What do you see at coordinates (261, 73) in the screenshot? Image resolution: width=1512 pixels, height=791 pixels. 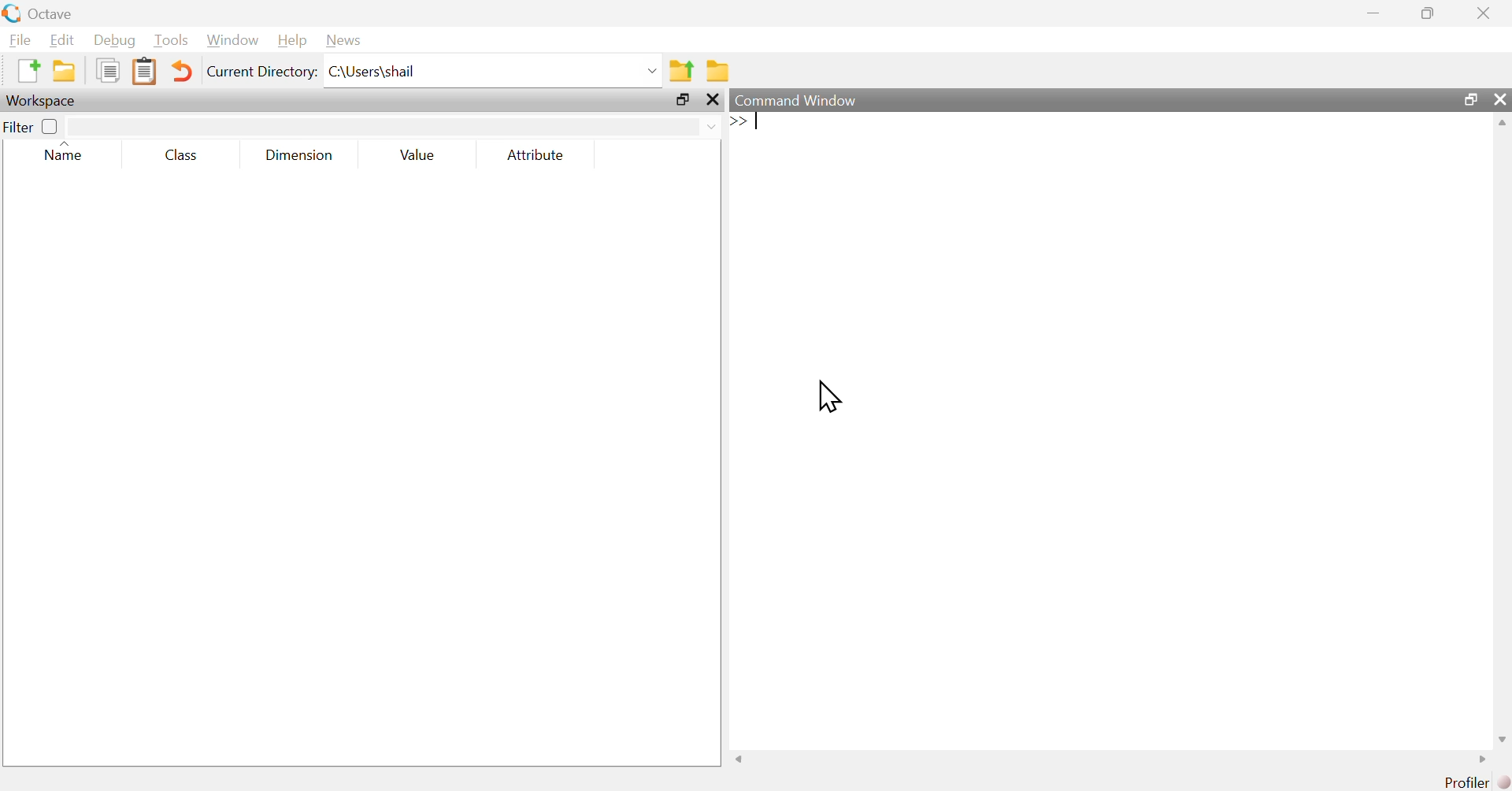 I see `Current Directory:` at bounding box center [261, 73].